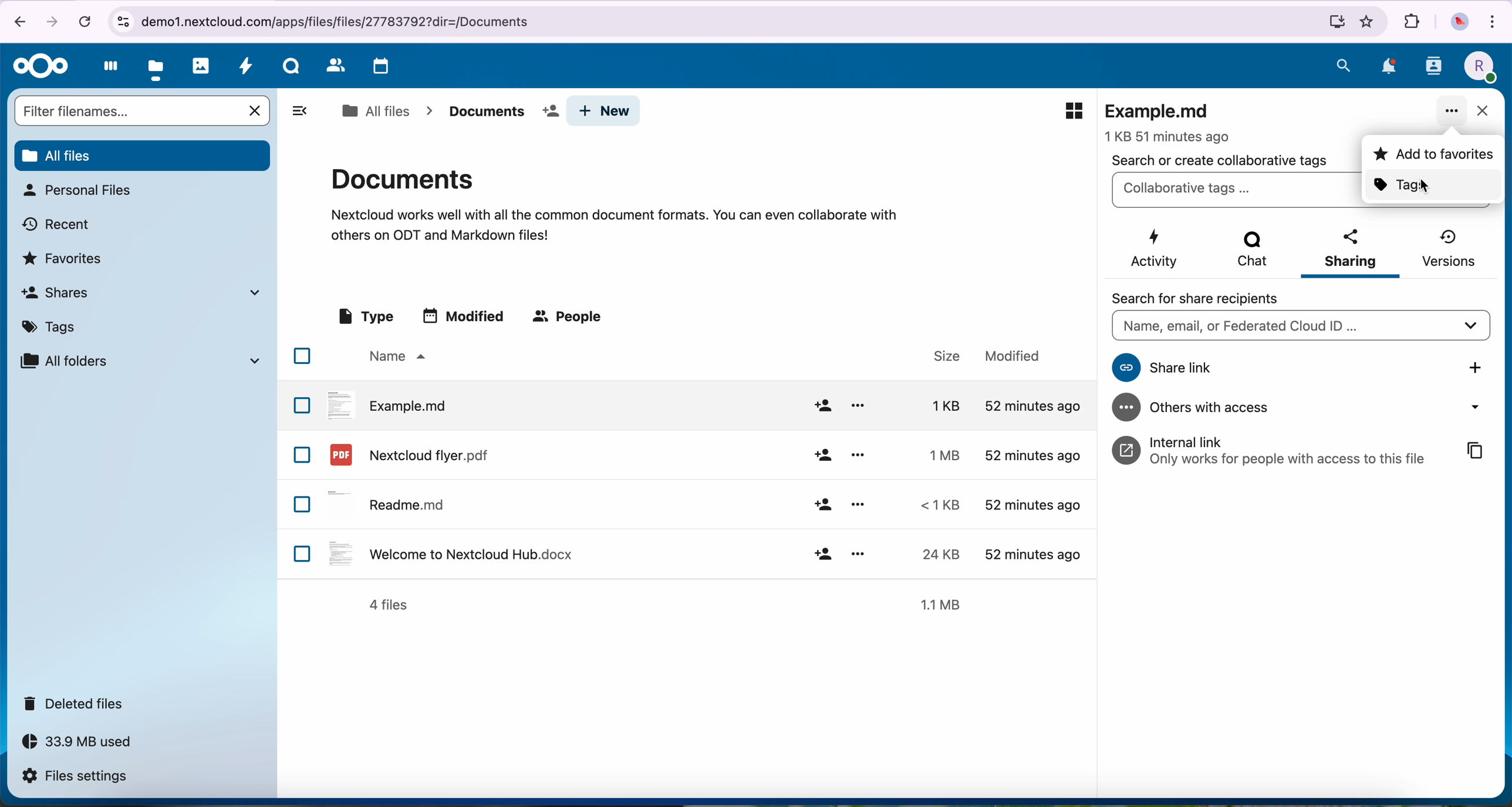 This screenshot has width=1512, height=807. Describe the element at coordinates (945, 603) in the screenshot. I see `1.1MB` at that location.